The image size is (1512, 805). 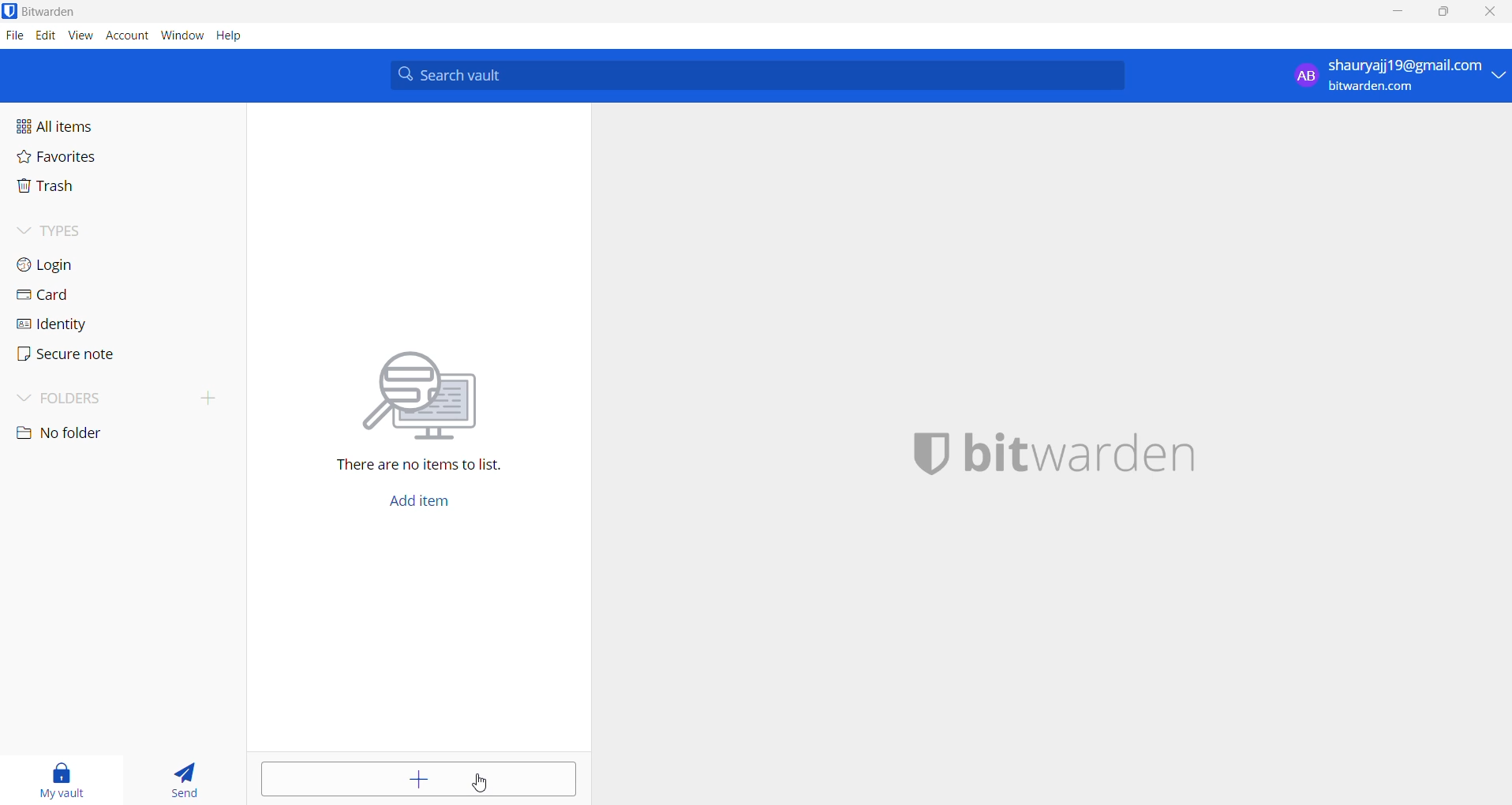 What do you see at coordinates (1060, 455) in the screenshot?
I see `application name and logo` at bounding box center [1060, 455].